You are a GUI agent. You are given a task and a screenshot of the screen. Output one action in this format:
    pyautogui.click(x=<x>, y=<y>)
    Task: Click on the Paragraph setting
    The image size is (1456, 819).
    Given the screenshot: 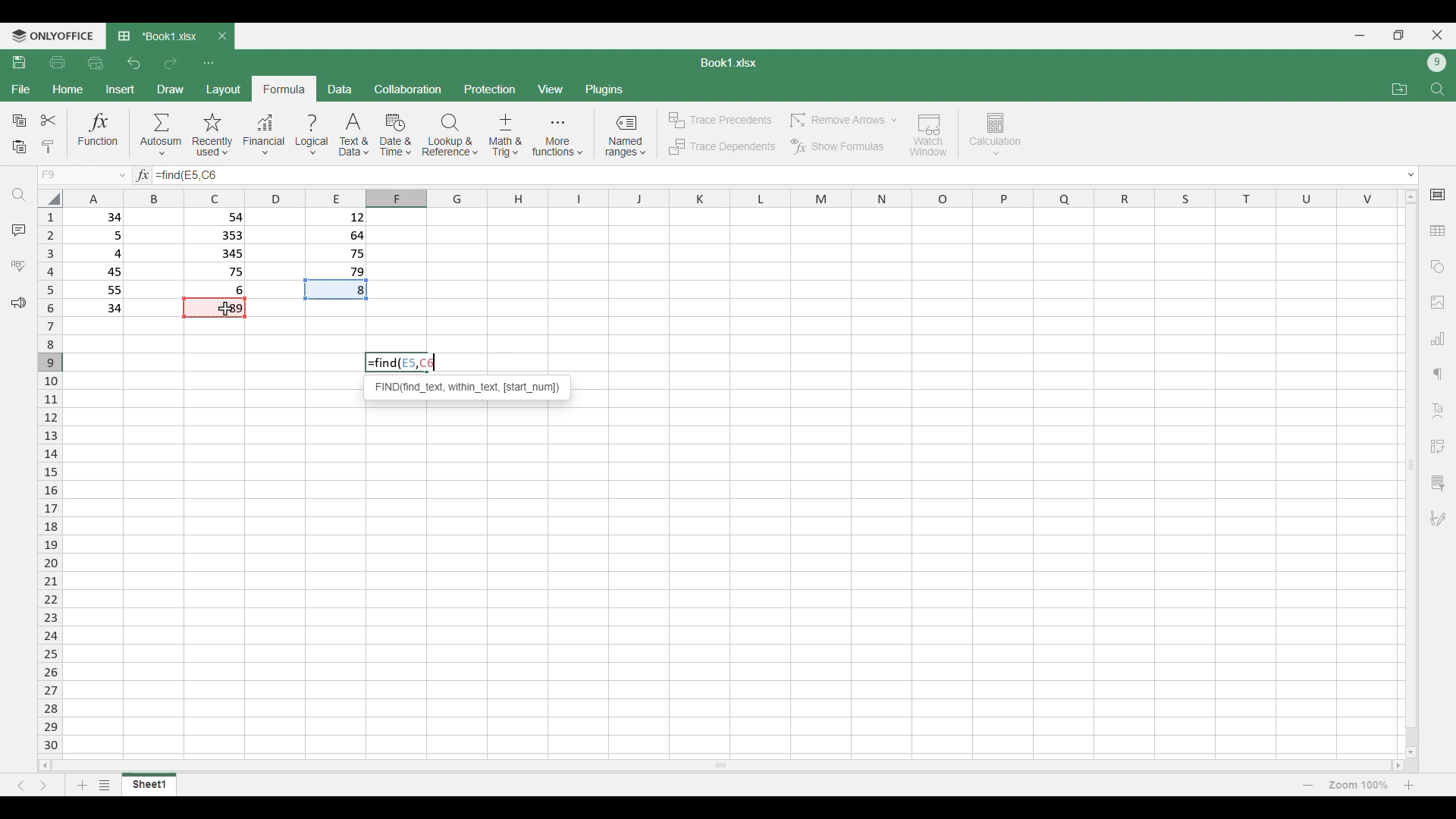 What is the action you would take?
    pyautogui.click(x=1439, y=375)
    